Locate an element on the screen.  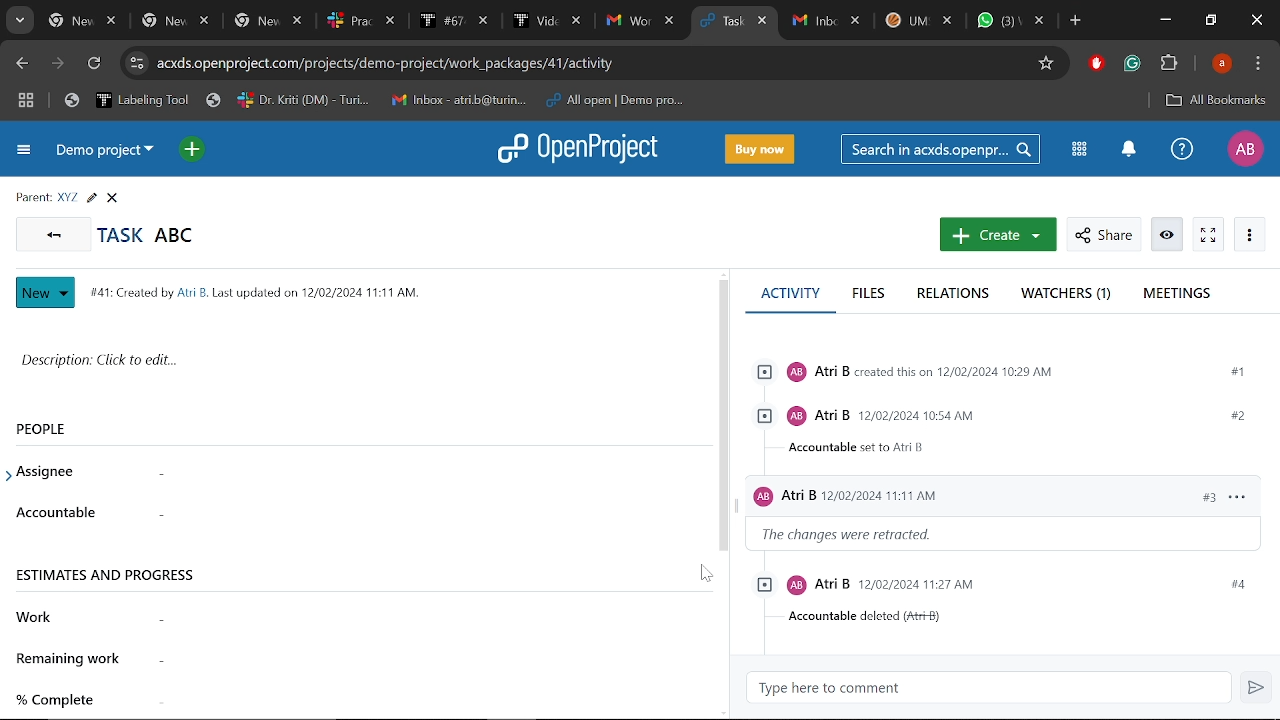
Edit is located at coordinates (91, 198).